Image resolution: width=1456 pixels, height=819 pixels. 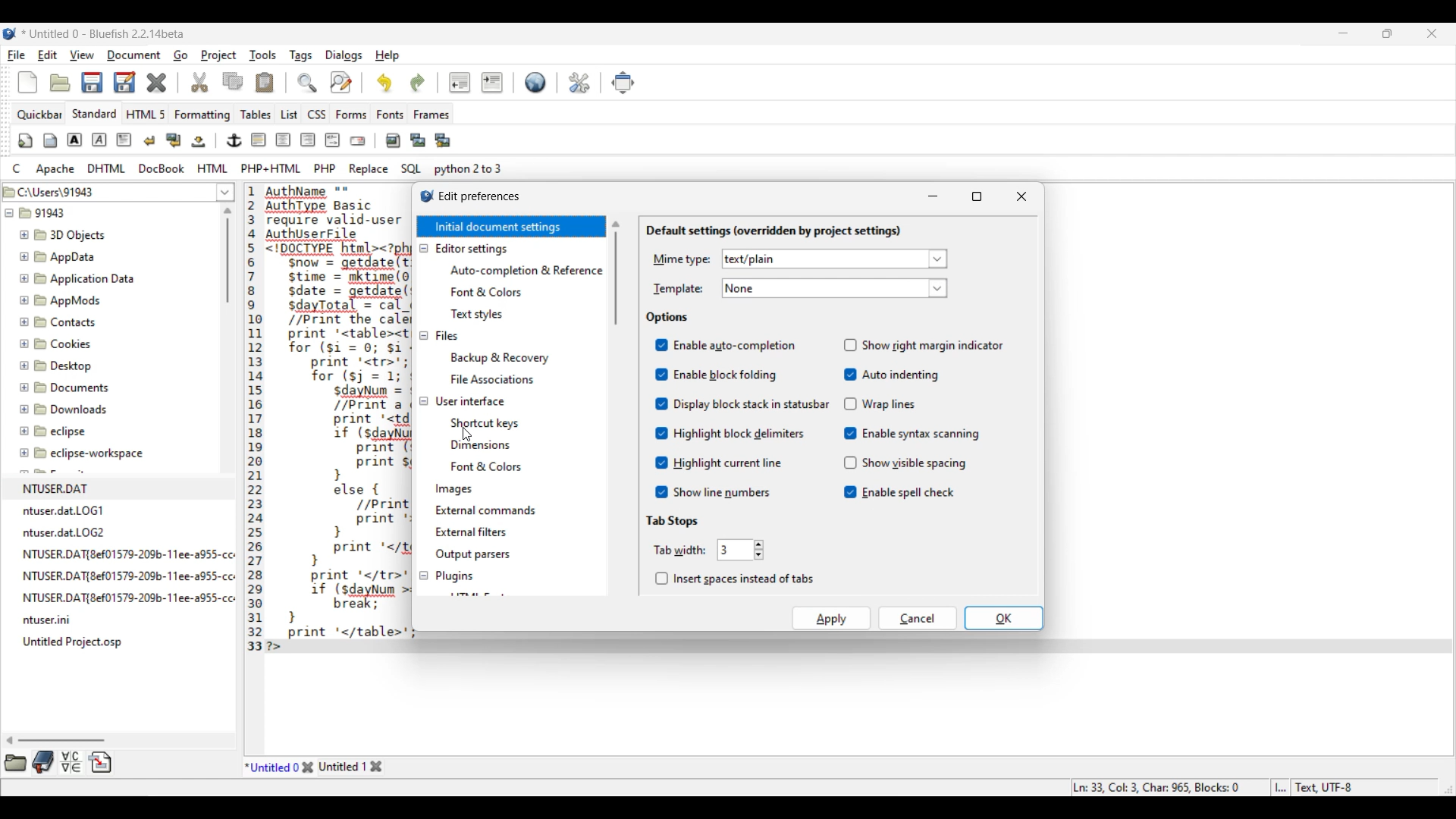 I want to click on Project name, software name and version , so click(x=103, y=34).